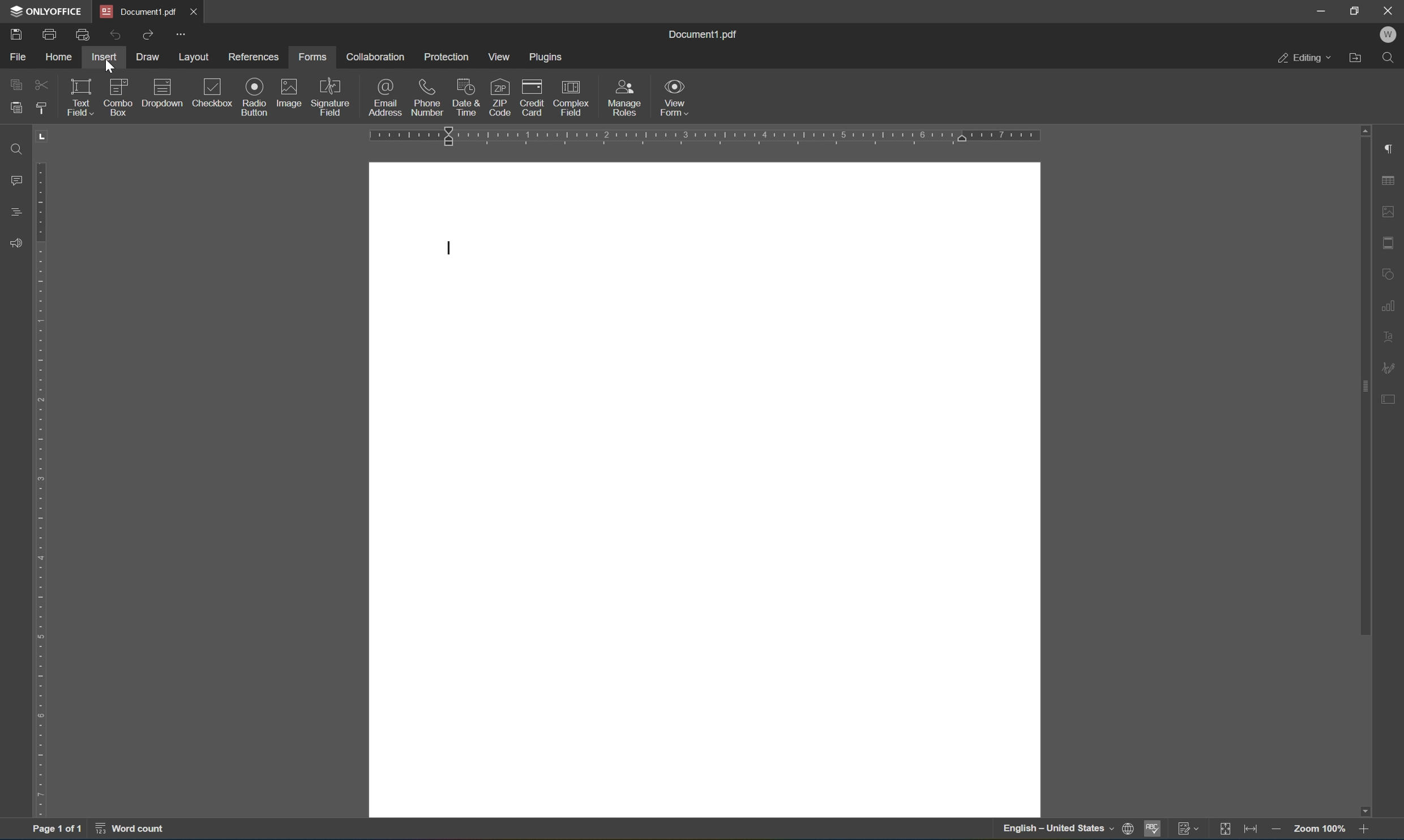  What do you see at coordinates (106, 58) in the screenshot?
I see `insert` at bounding box center [106, 58].